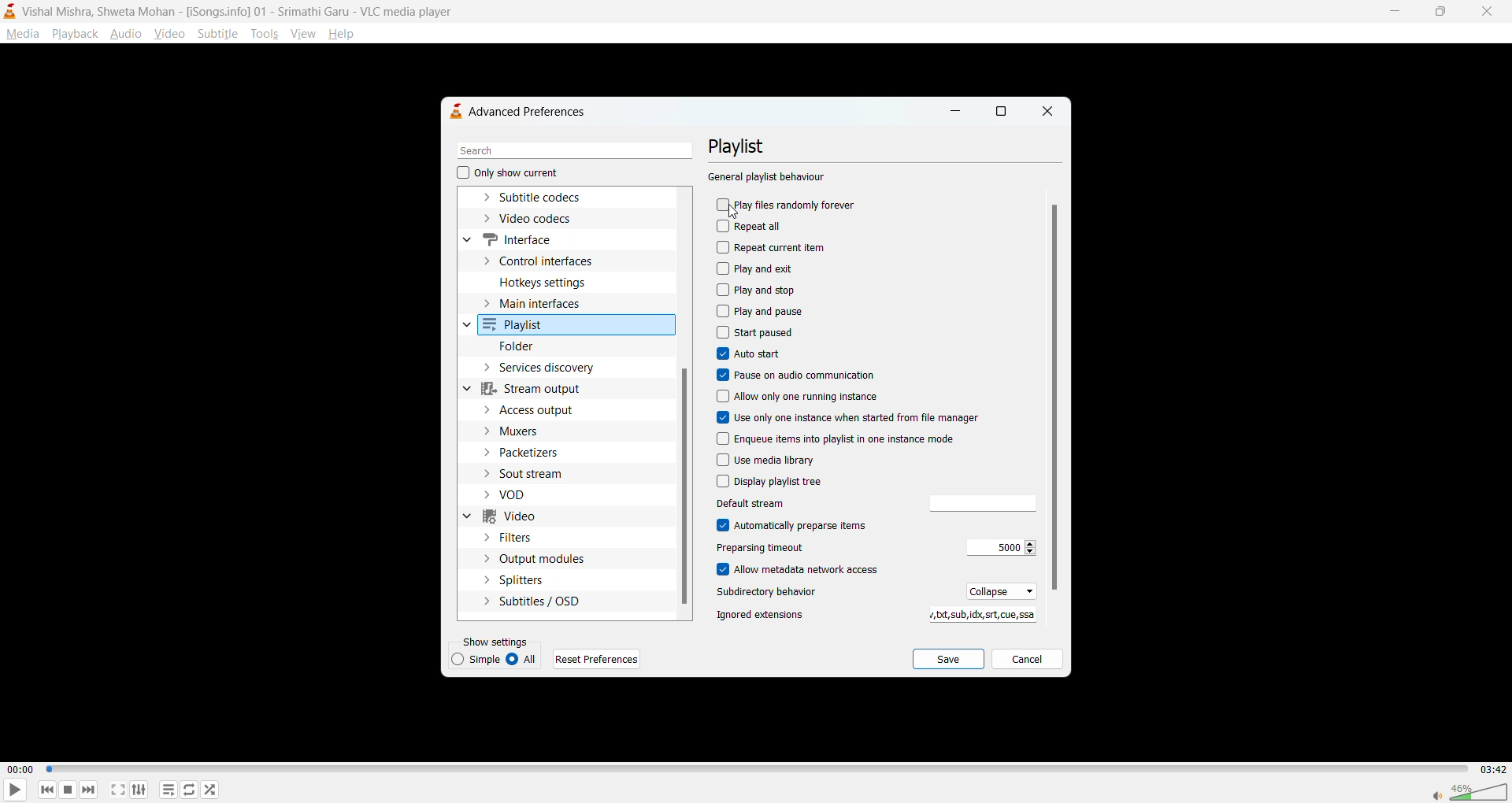 Image resolution: width=1512 pixels, height=803 pixels. I want to click on play files randomly , so click(788, 206).